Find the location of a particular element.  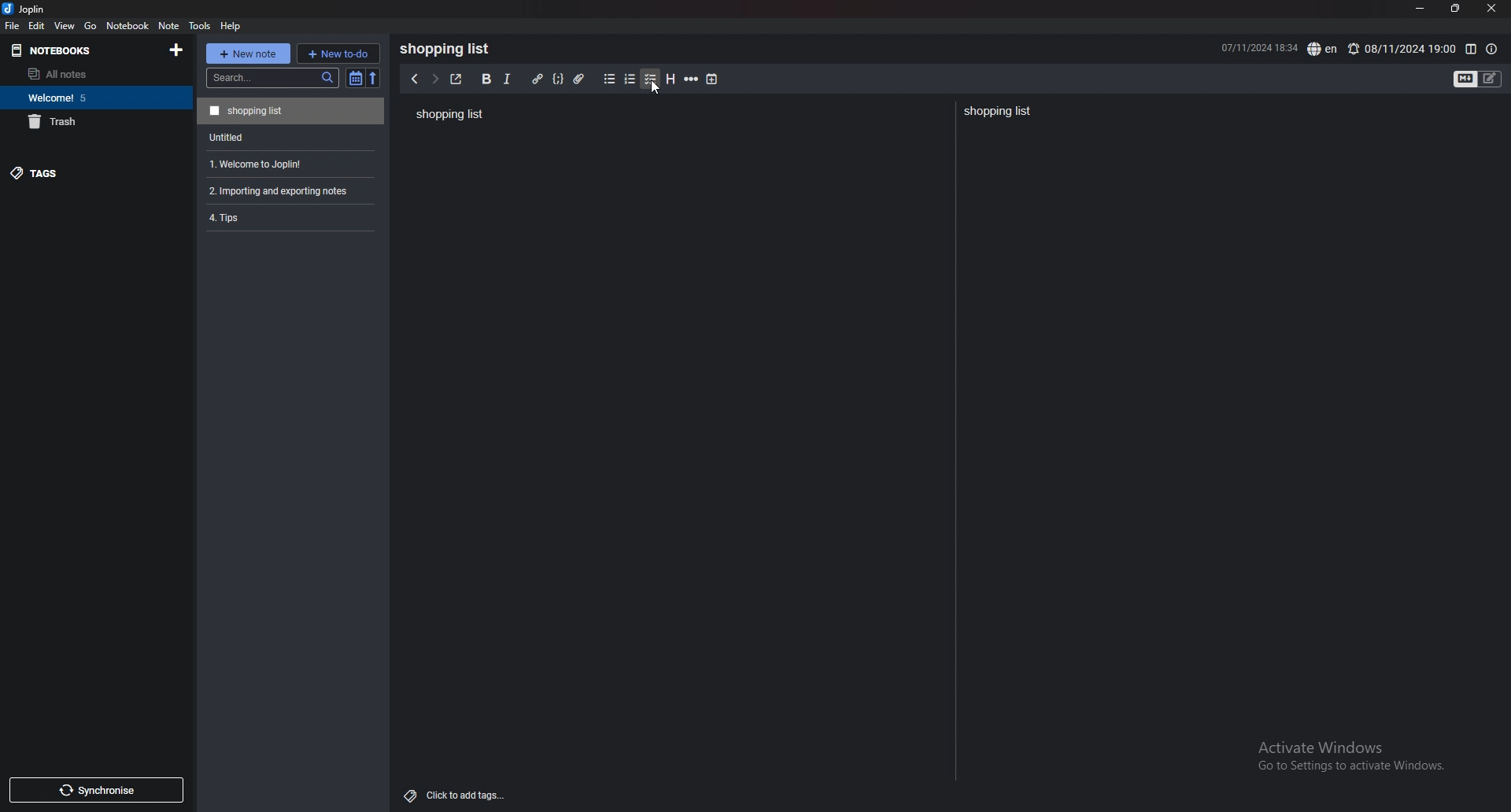

Shopping list is located at coordinates (449, 114).